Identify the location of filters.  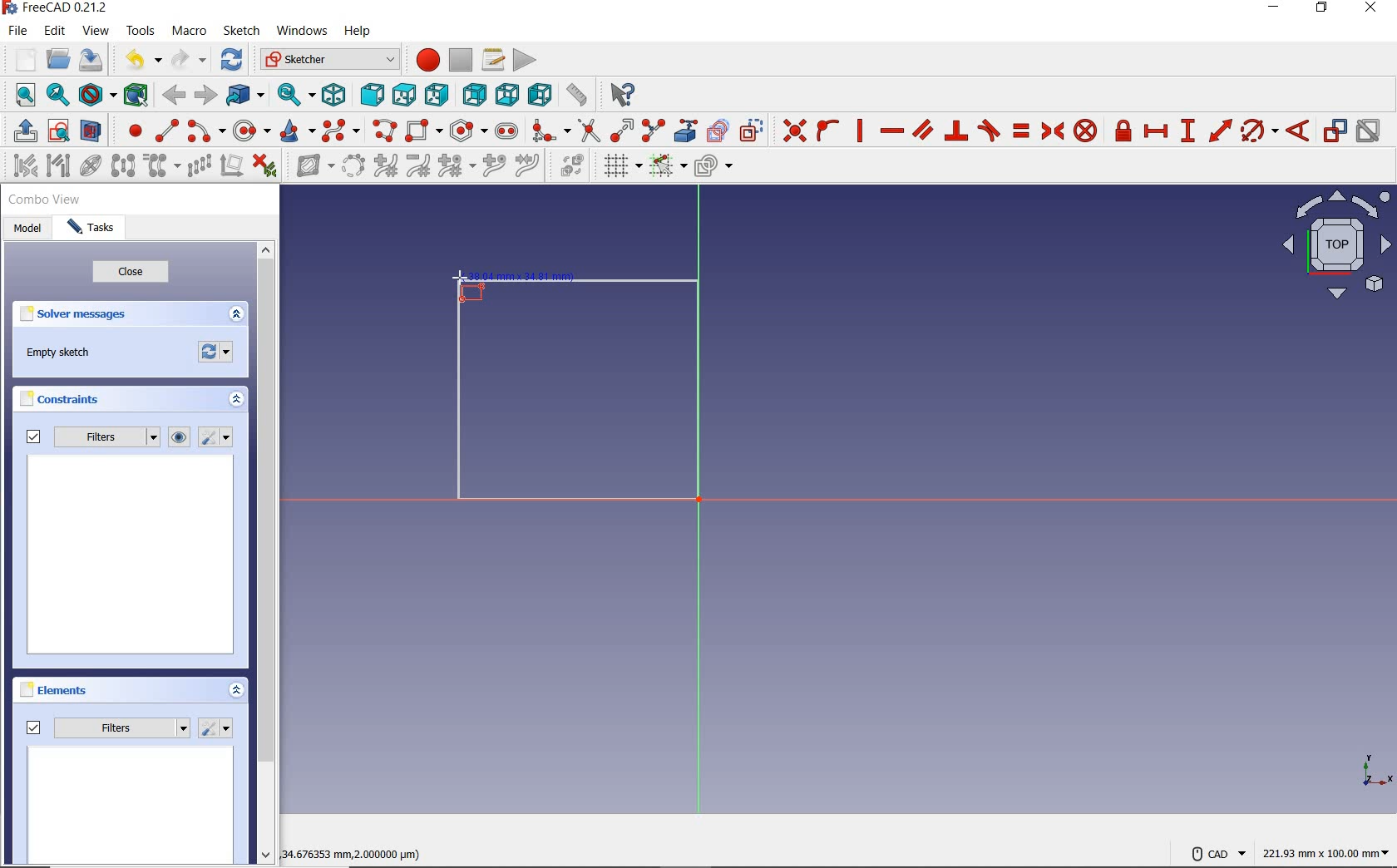
(89, 437).